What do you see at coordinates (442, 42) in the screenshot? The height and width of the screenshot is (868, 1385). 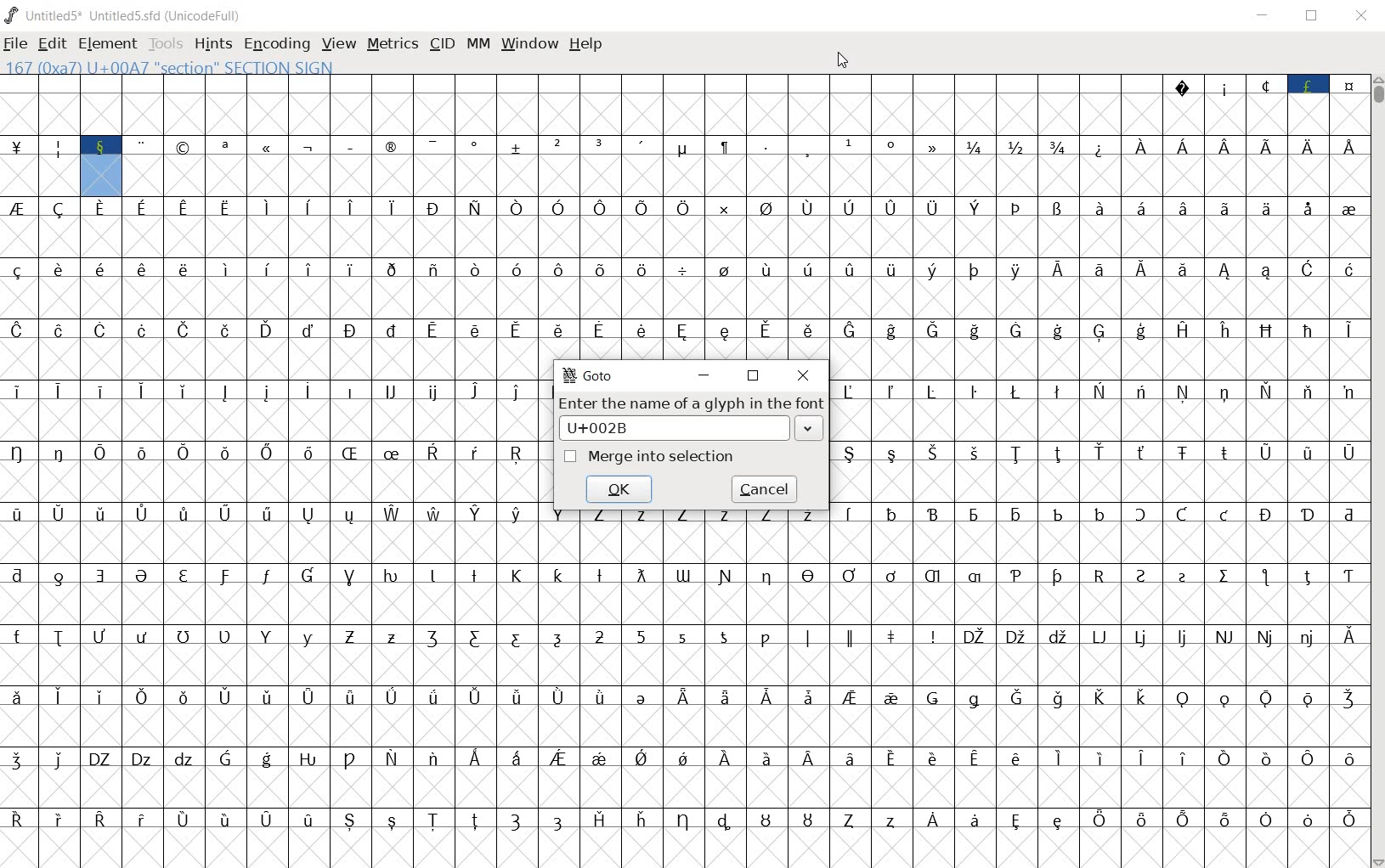 I see `cid` at bounding box center [442, 42].